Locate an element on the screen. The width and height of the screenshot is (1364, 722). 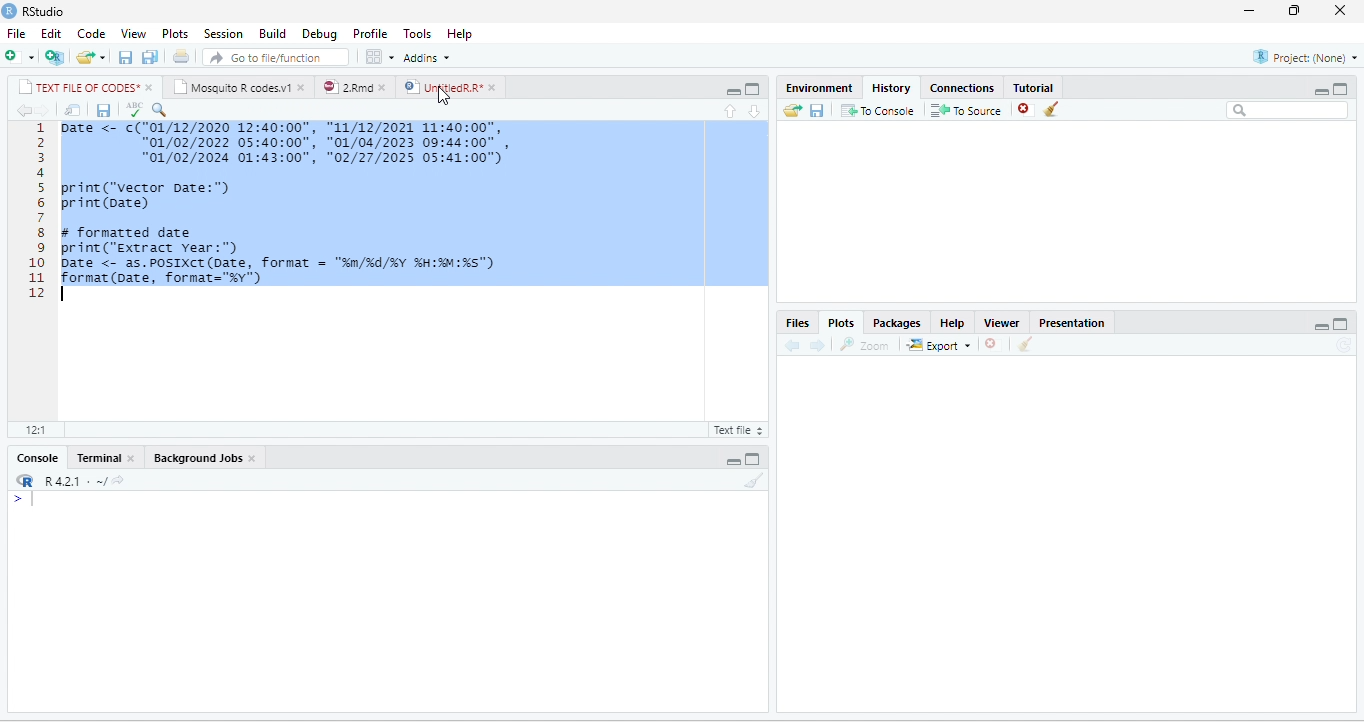
close is located at coordinates (385, 87).